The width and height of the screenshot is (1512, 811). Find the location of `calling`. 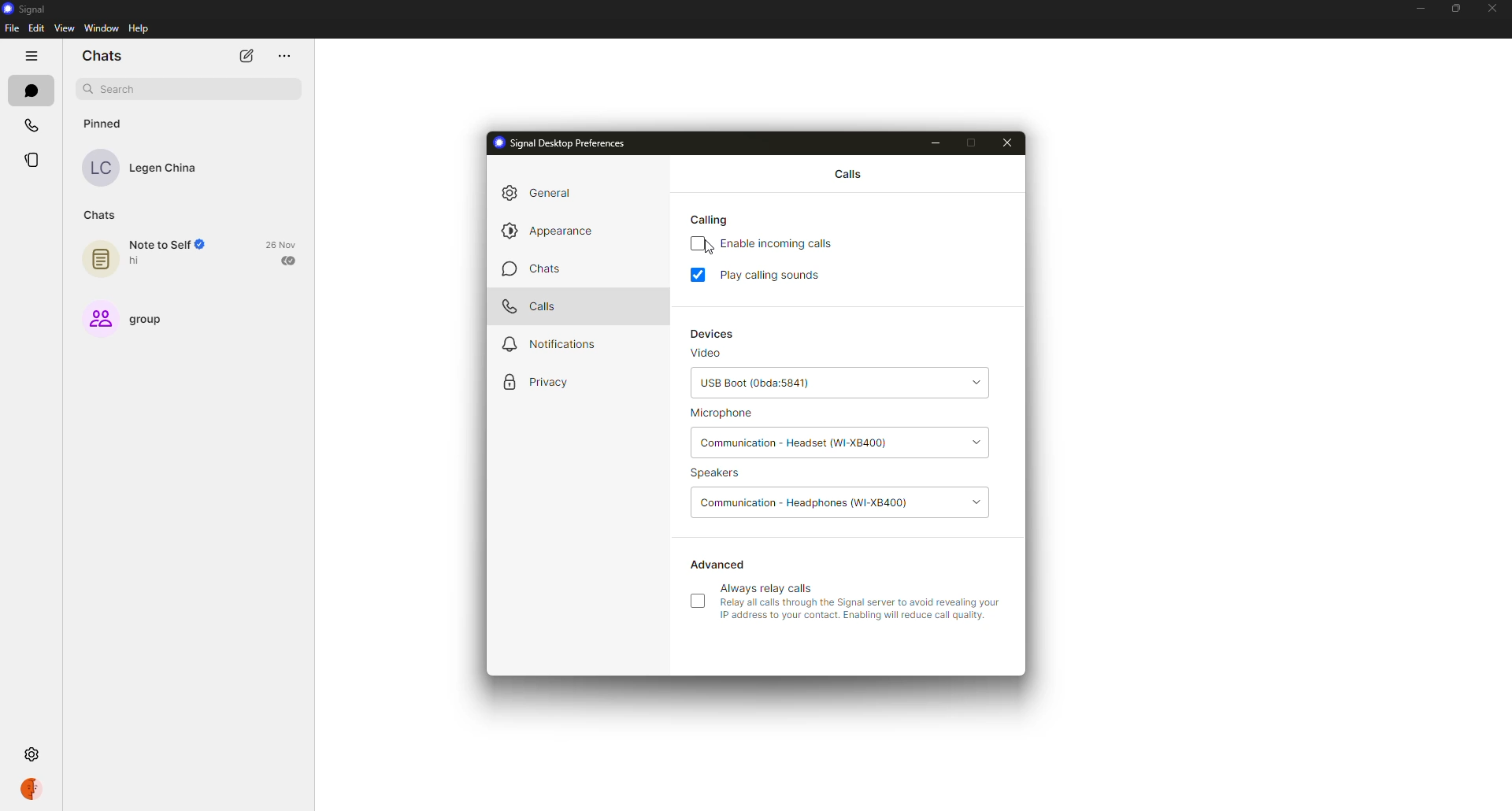

calling is located at coordinates (712, 220).